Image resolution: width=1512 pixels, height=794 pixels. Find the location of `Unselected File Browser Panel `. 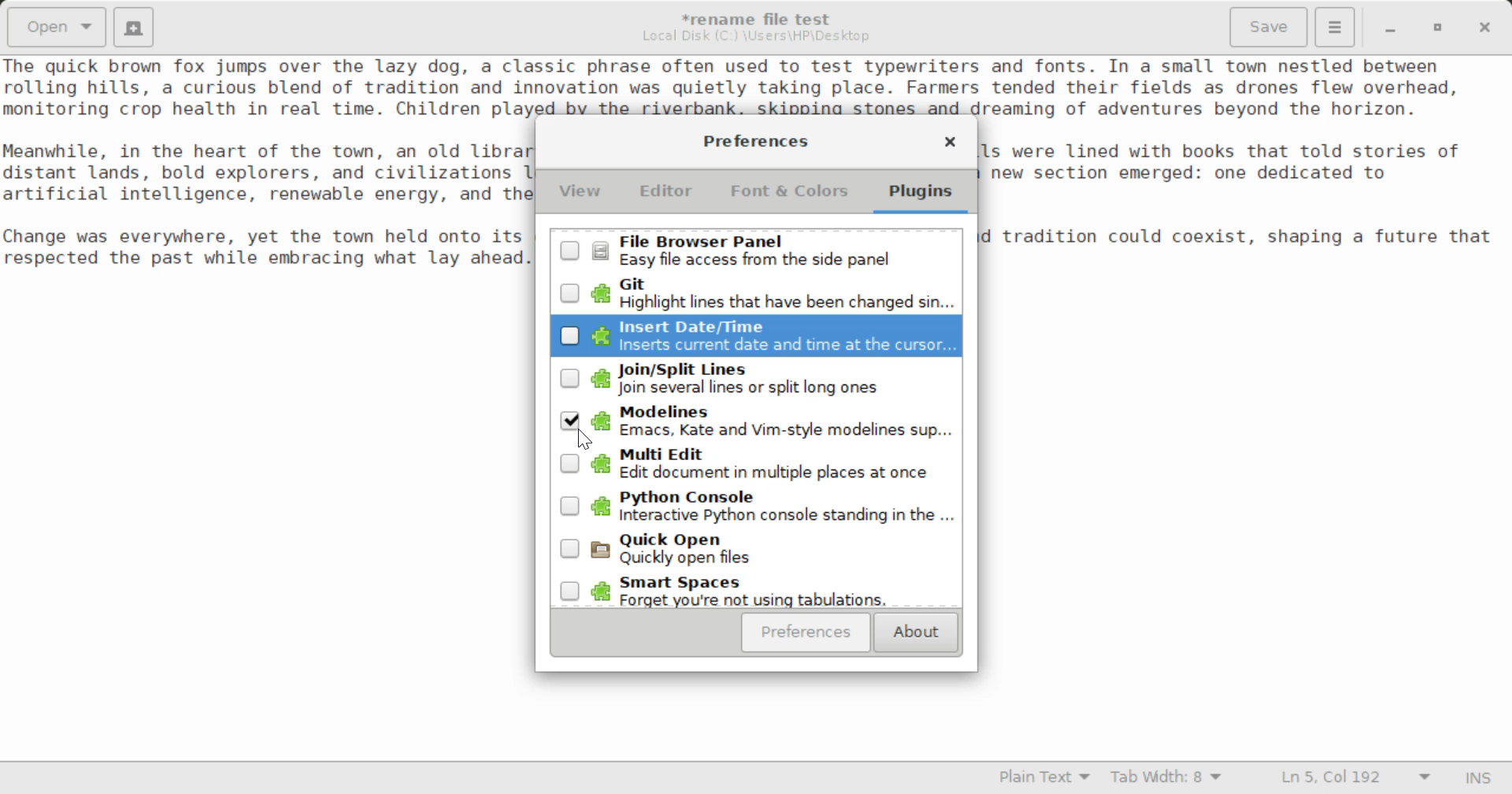

Unselected File Browser Panel  is located at coordinates (758, 250).